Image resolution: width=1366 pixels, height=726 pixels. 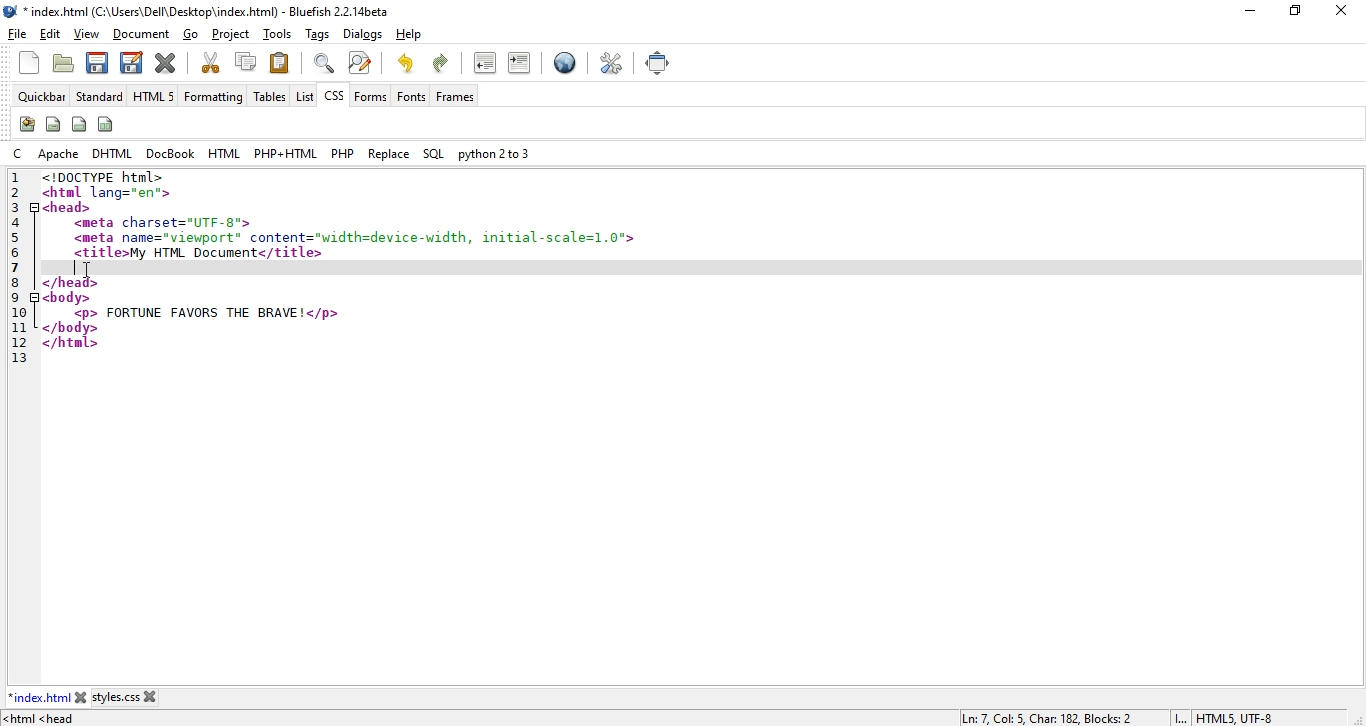 What do you see at coordinates (18, 359) in the screenshot?
I see `13` at bounding box center [18, 359].